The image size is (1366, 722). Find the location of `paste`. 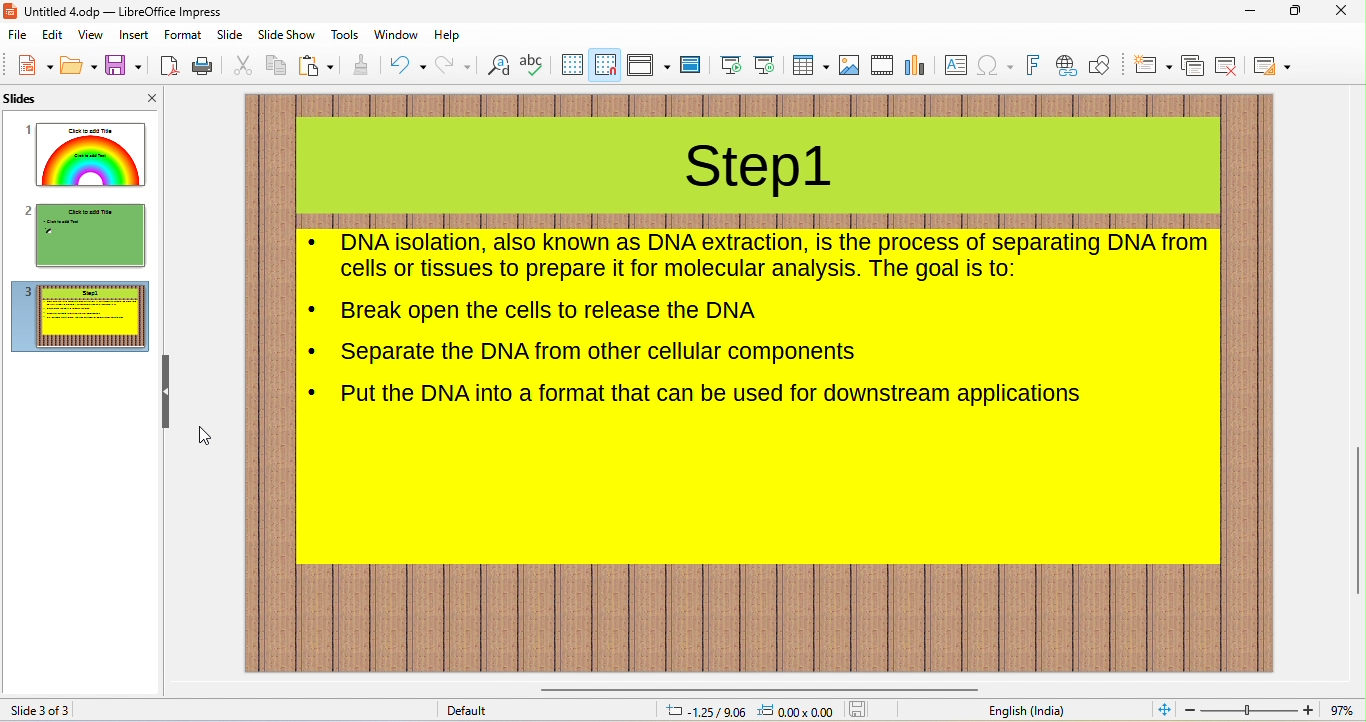

paste is located at coordinates (317, 65).